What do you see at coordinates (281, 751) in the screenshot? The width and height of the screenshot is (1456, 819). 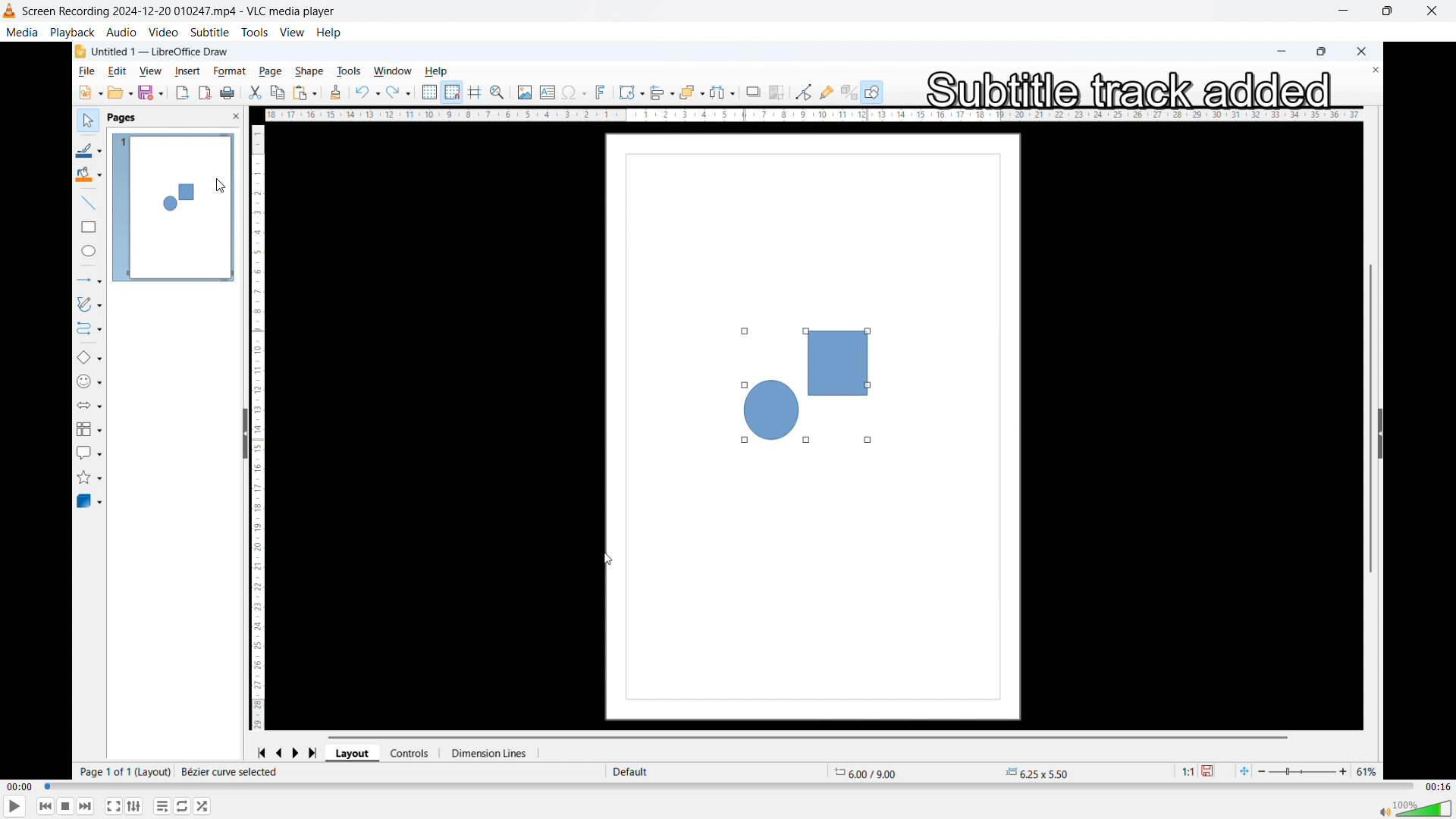 I see `previous page` at bounding box center [281, 751].